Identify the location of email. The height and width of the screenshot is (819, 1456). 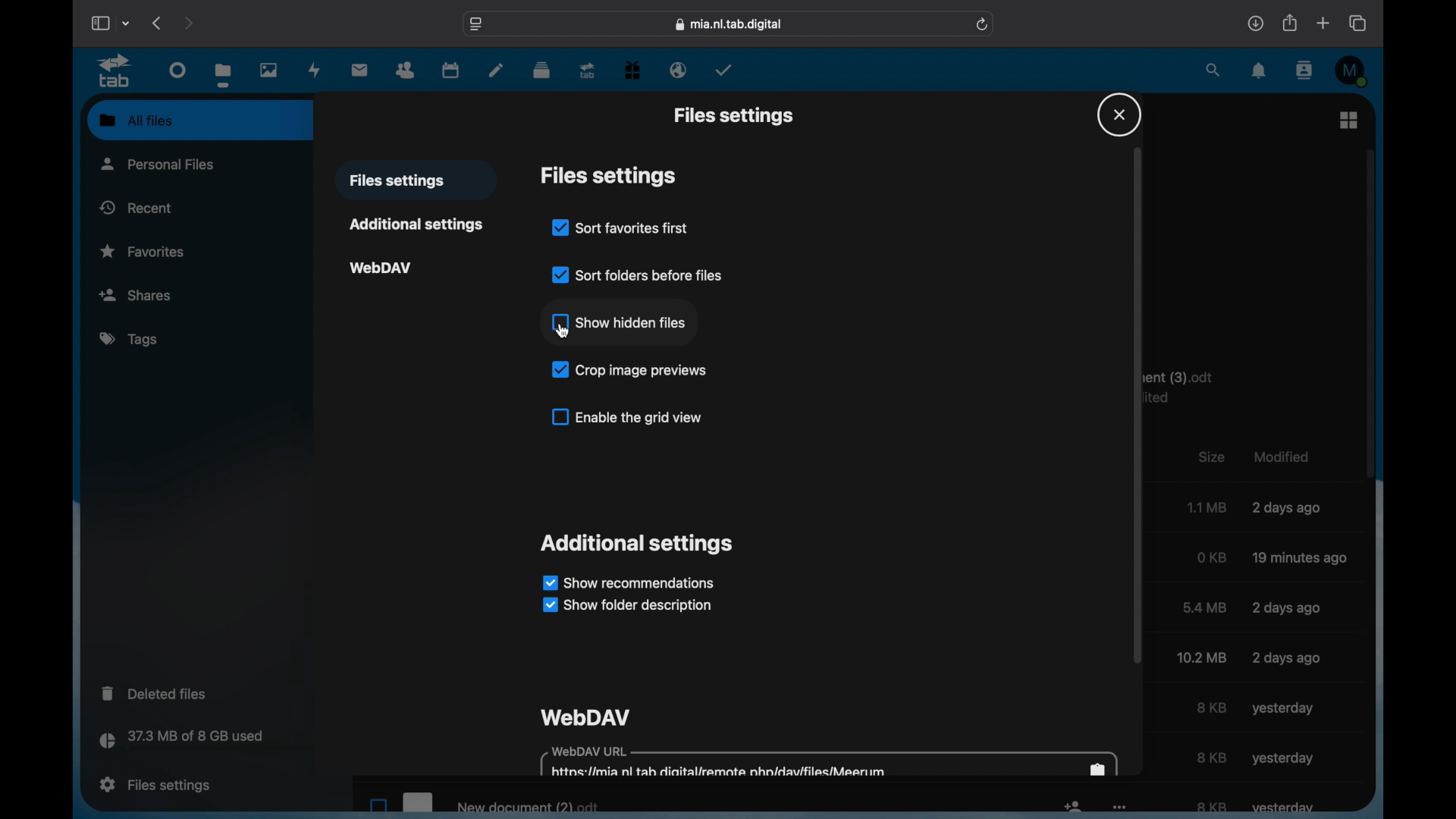
(678, 71).